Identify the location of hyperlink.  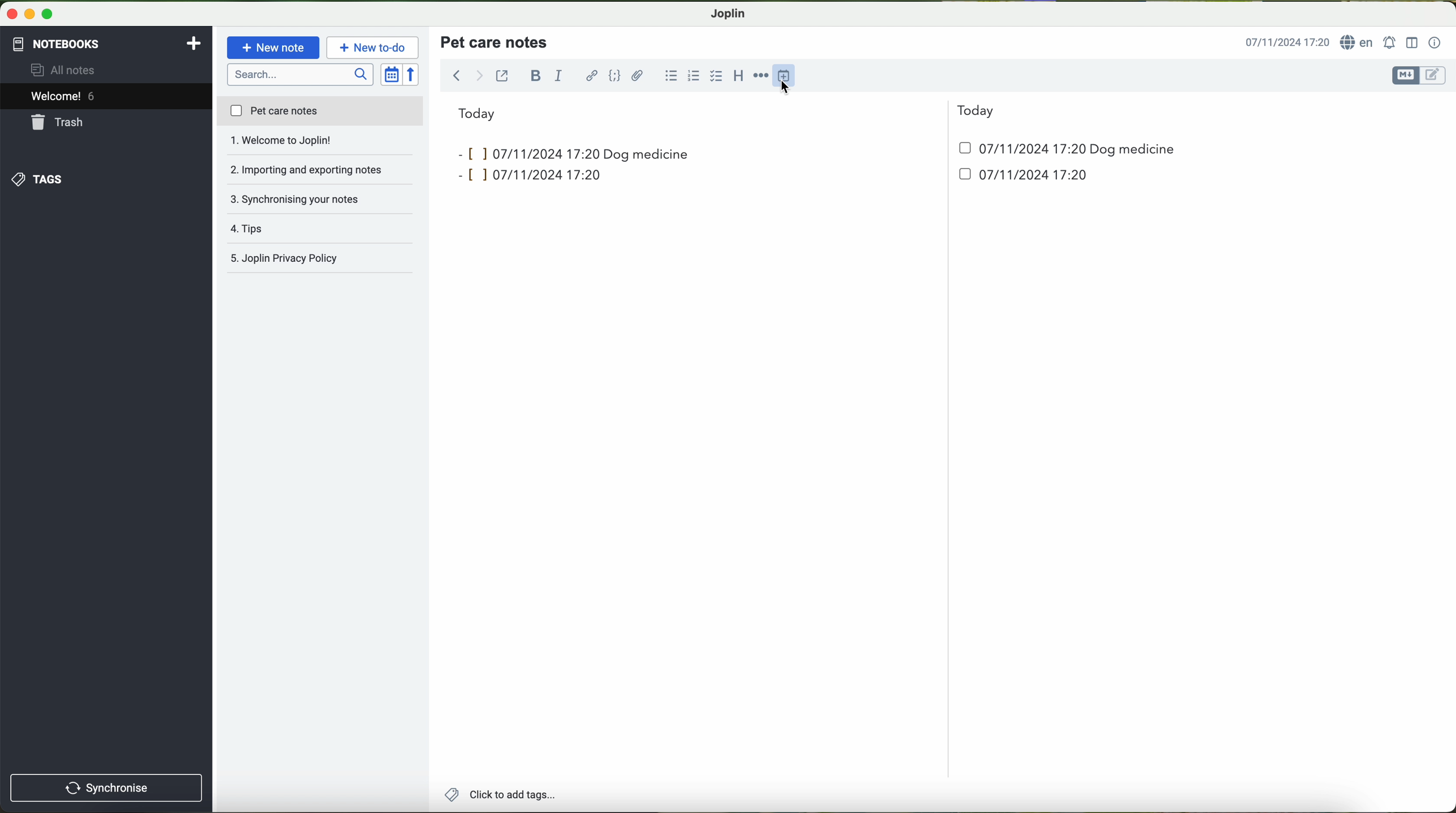
(593, 77).